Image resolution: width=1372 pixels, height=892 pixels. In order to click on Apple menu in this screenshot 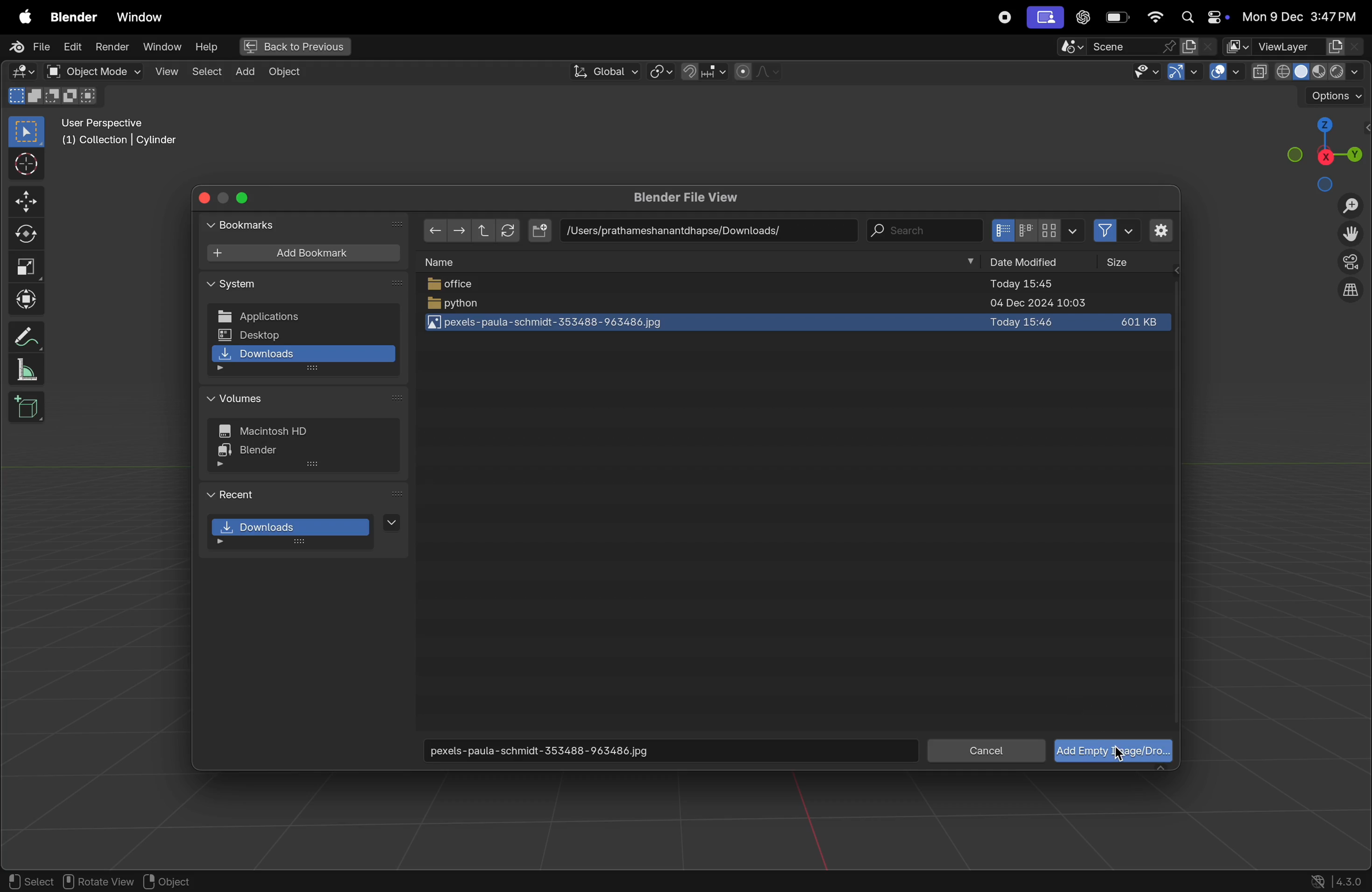, I will do `click(21, 14)`.